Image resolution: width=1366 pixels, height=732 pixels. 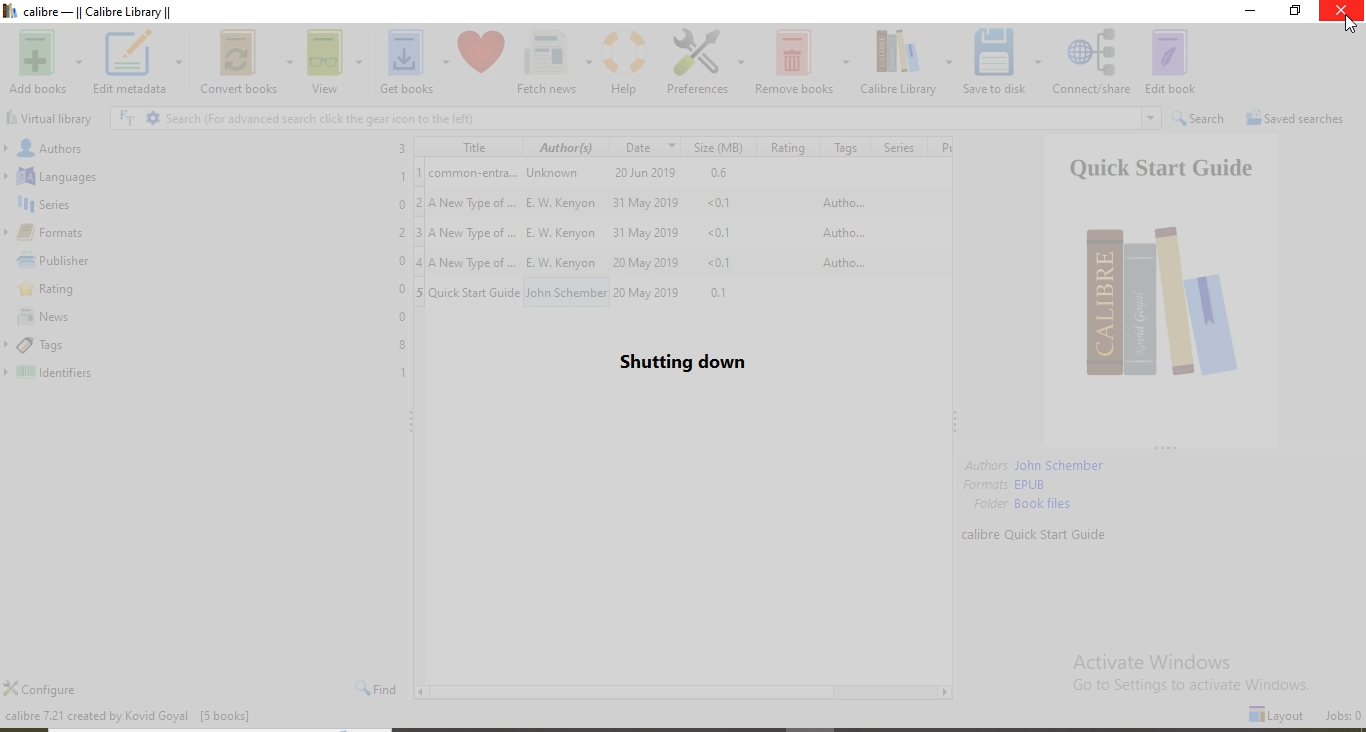 What do you see at coordinates (205, 146) in the screenshot?
I see `Authors` at bounding box center [205, 146].